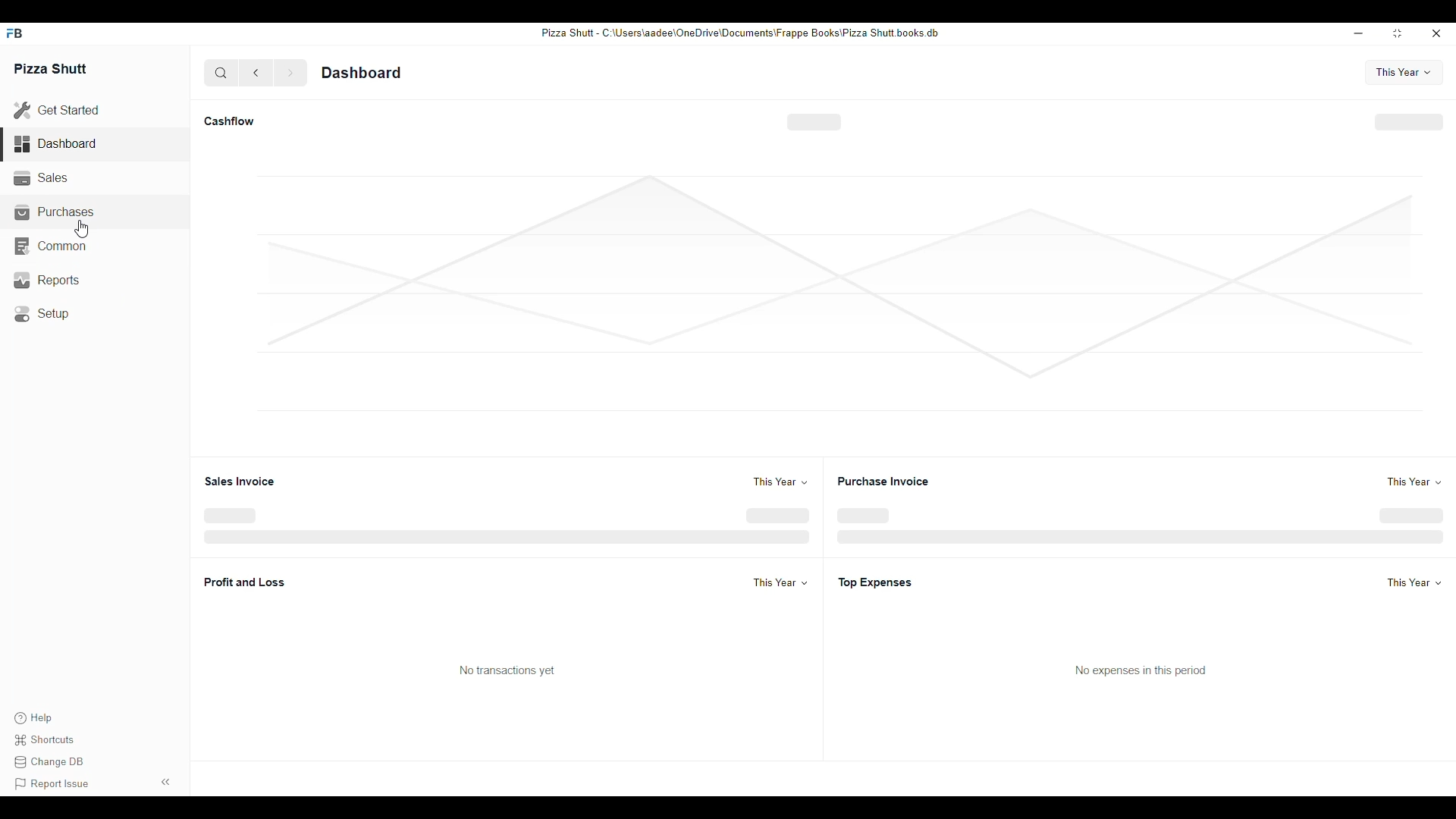 The image size is (1456, 819). I want to click on cursor, so click(81, 229).